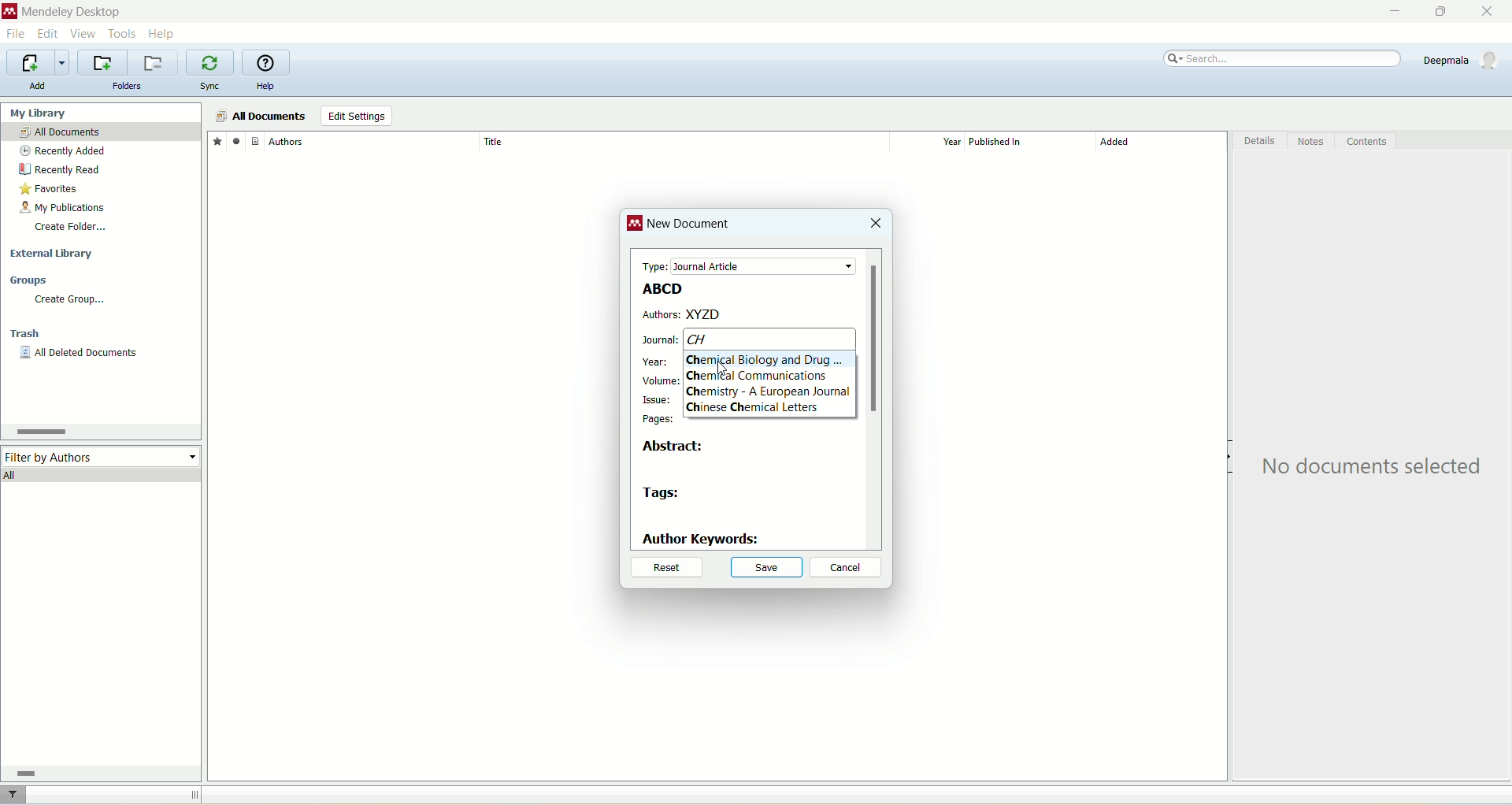 The height and width of the screenshot is (805, 1512). What do you see at coordinates (35, 63) in the screenshot?
I see `import` at bounding box center [35, 63].